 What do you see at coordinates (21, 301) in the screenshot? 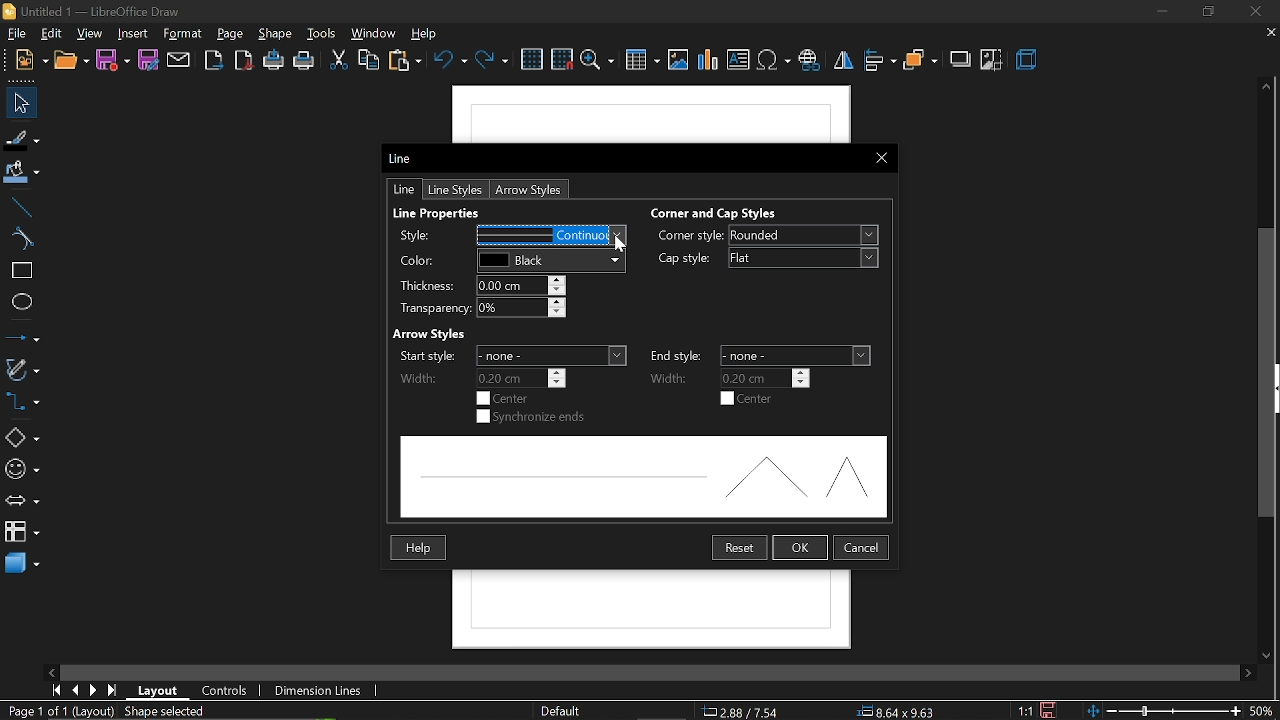
I see `ellipse` at bounding box center [21, 301].